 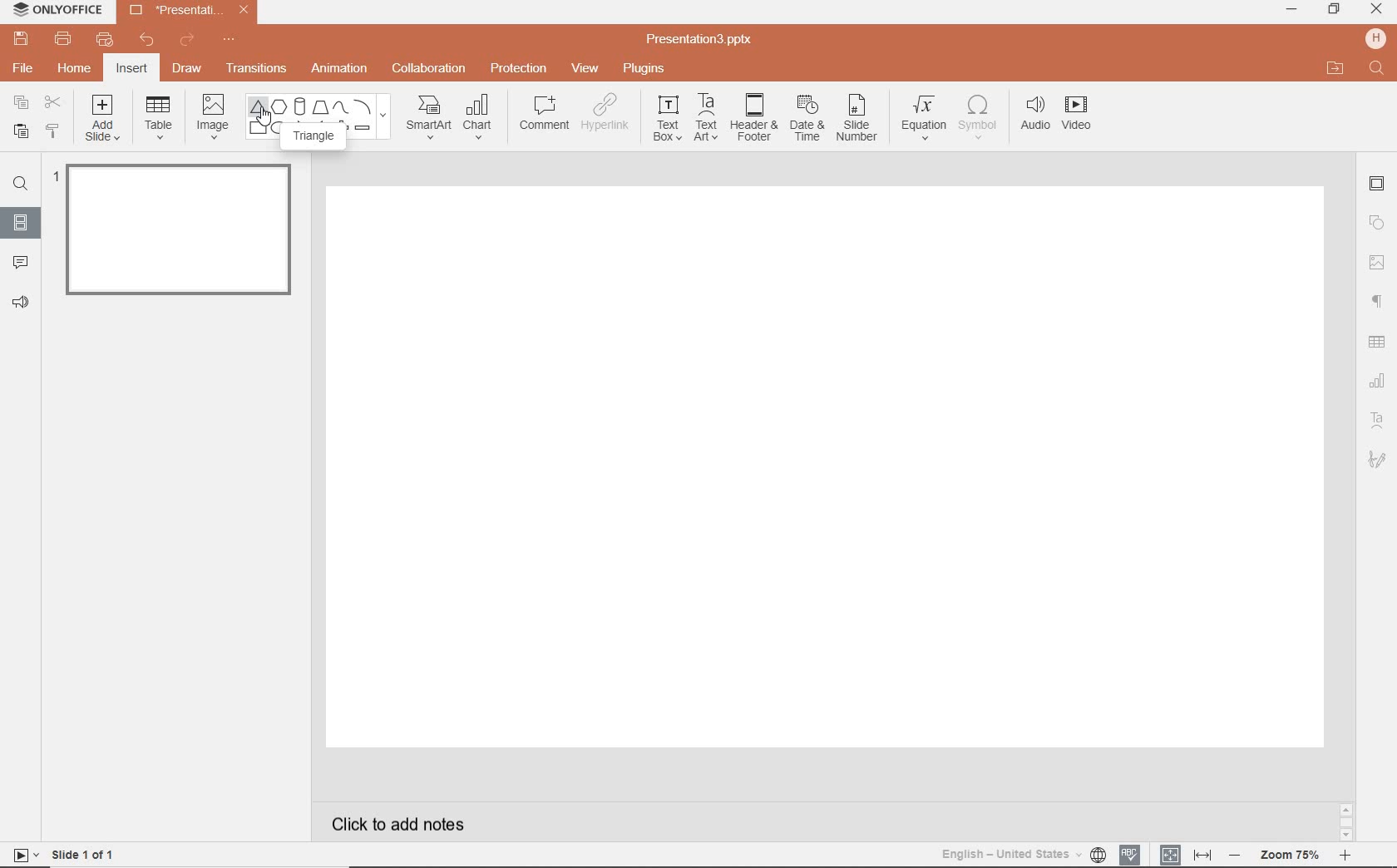 What do you see at coordinates (1291, 10) in the screenshot?
I see `MINIMIZE` at bounding box center [1291, 10].